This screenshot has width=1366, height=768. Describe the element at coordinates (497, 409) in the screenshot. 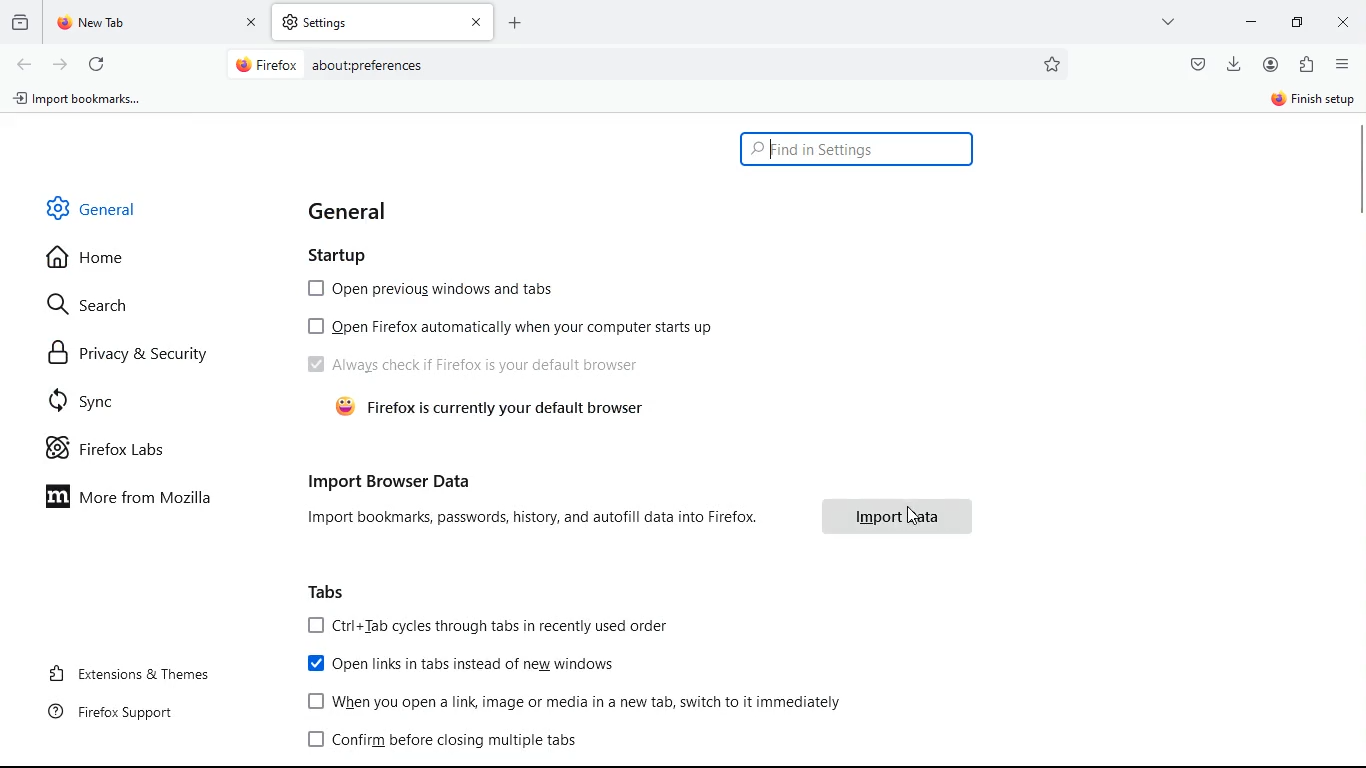

I see `fitefox is currently you default browser` at that location.